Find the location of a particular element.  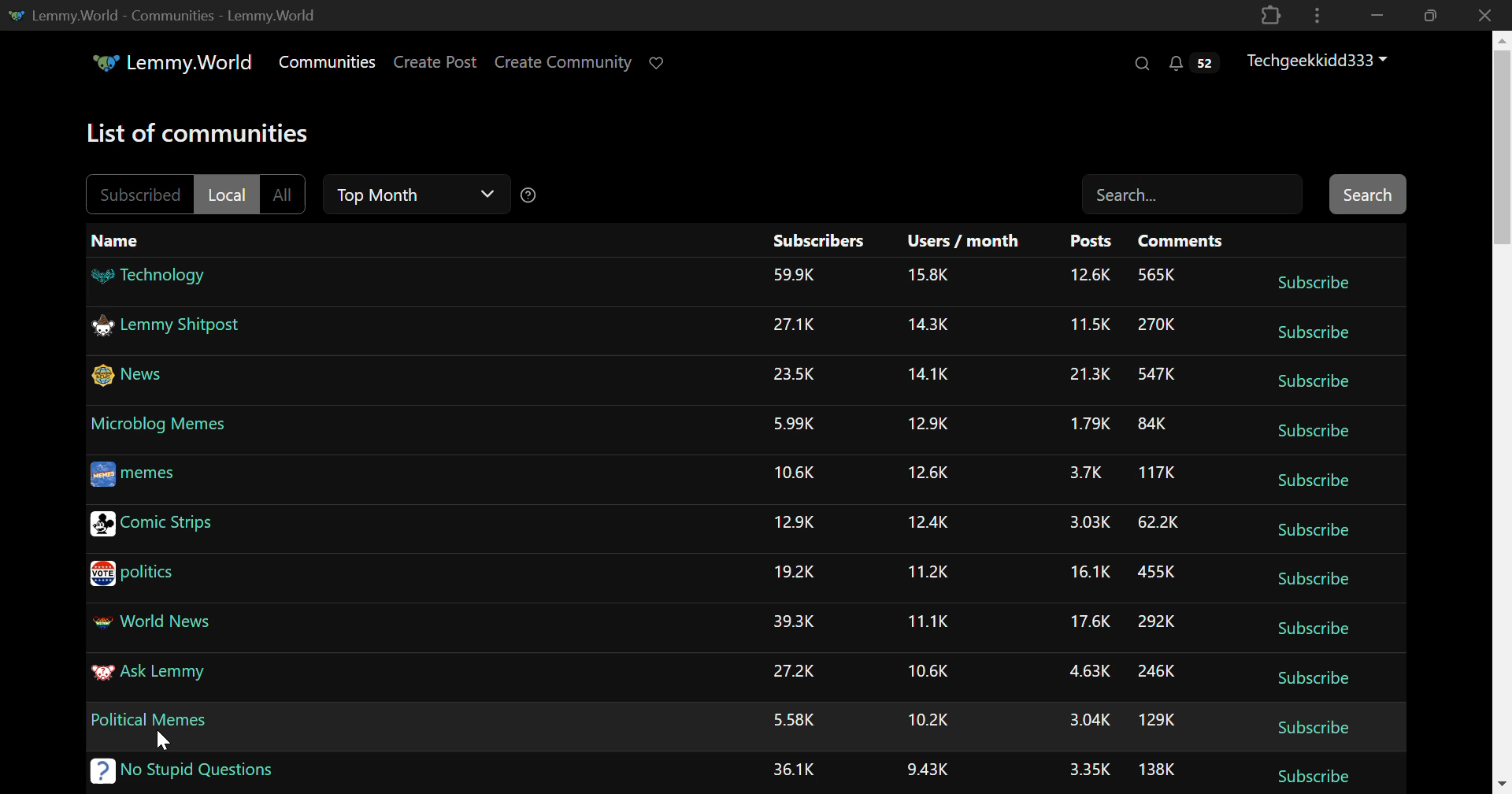

Amount is located at coordinates (930, 524).